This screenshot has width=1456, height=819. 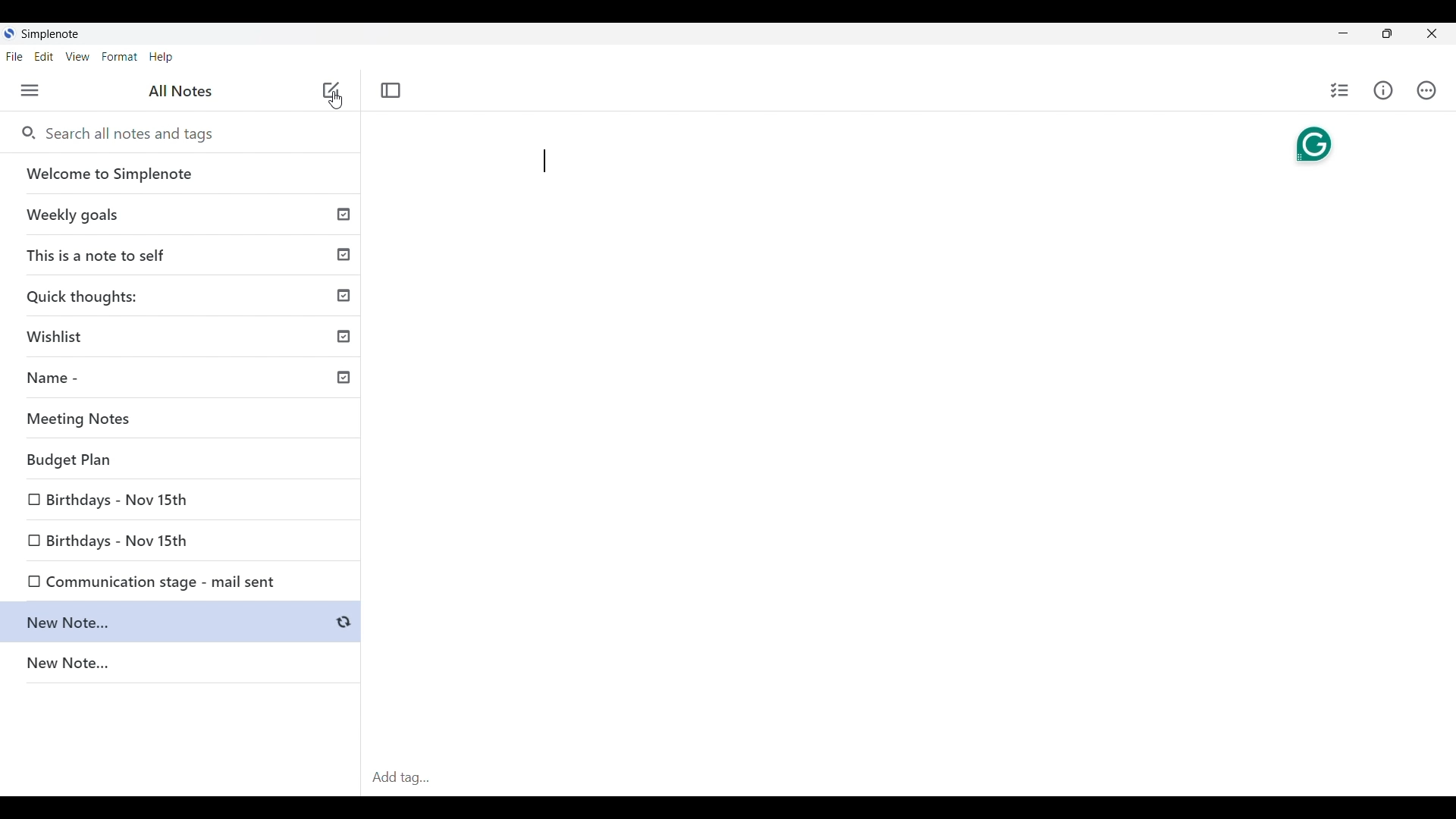 What do you see at coordinates (1341, 90) in the screenshot?
I see `Click to insert checklist` at bounding box center [1341, 90].